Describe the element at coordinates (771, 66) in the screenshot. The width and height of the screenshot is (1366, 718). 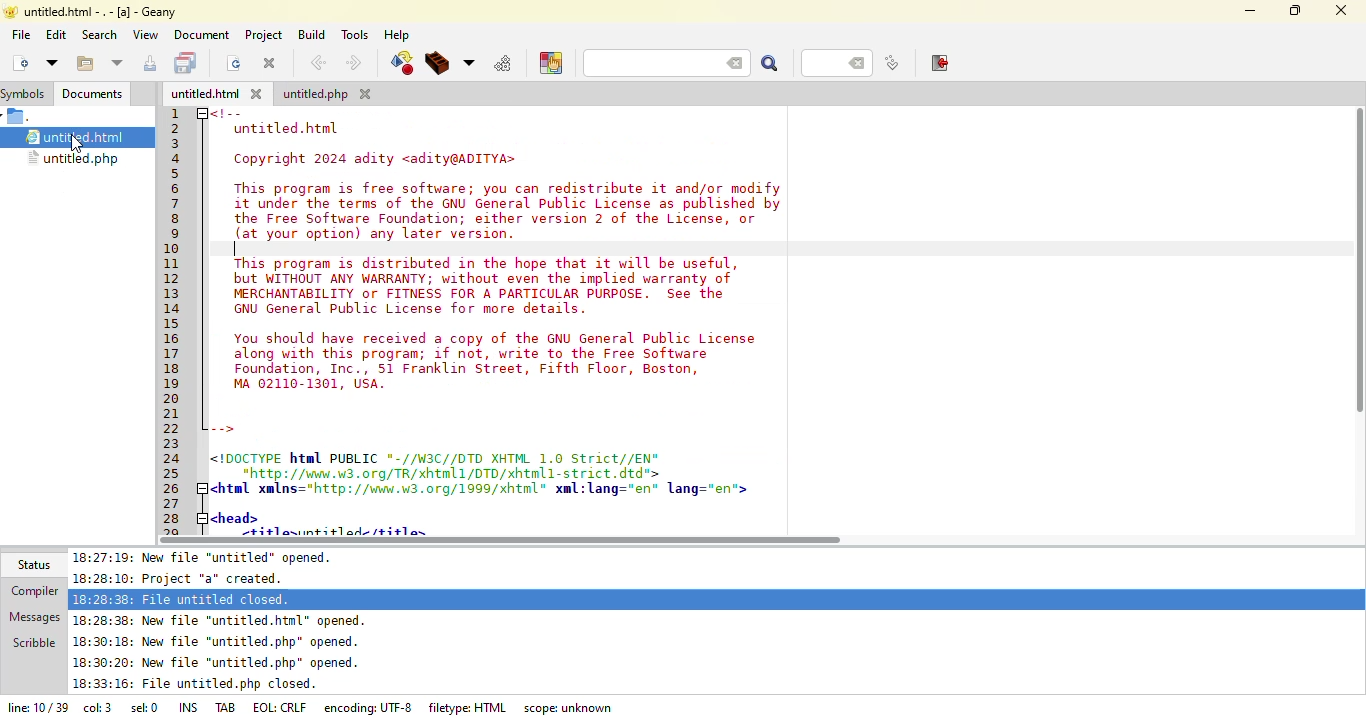
I see `search` at that location.